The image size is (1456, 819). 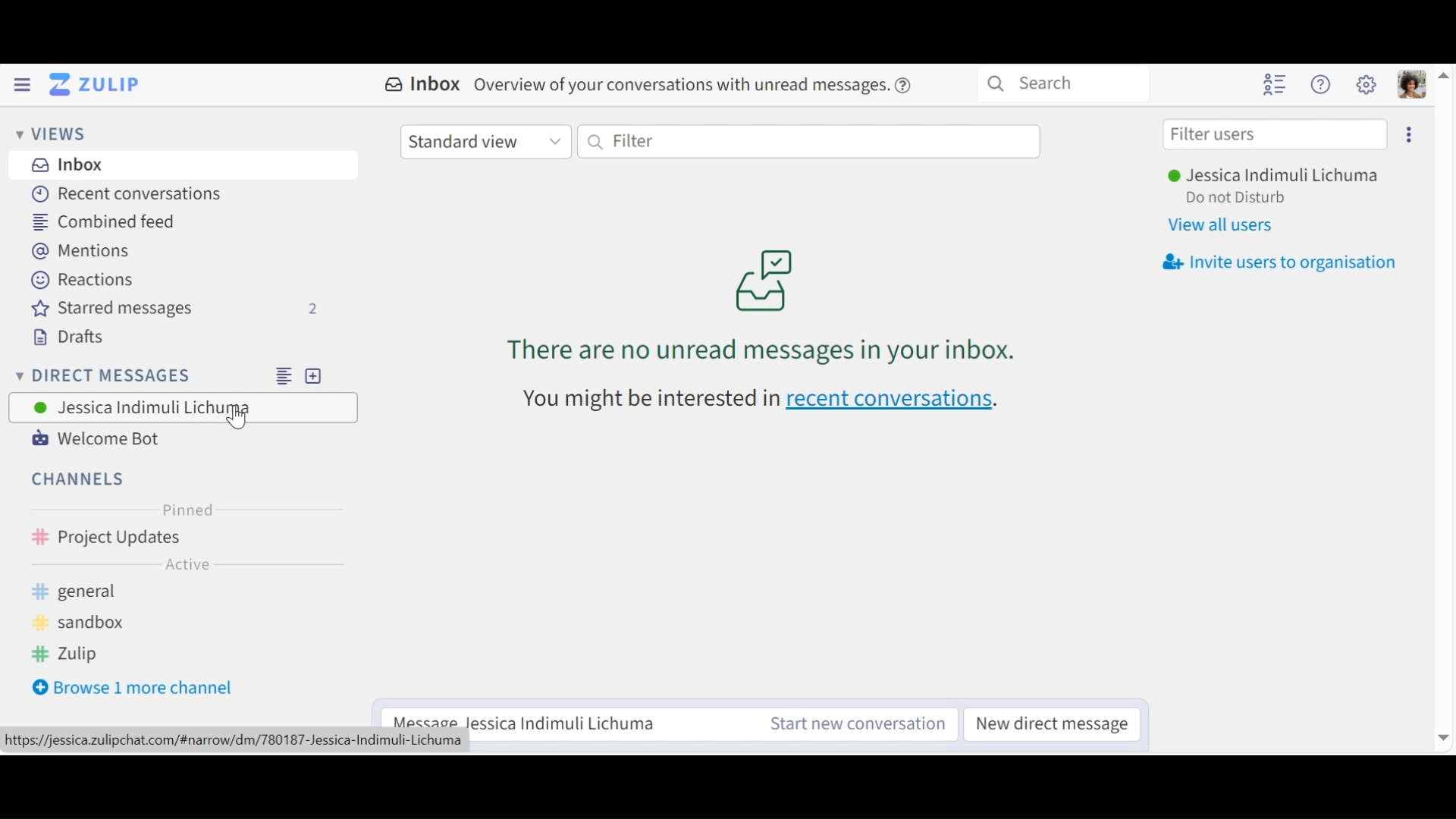 What do you see at coordinates (1275, 85) in the screenshot?
I see `Hide user list` at bounding box center [1275, 85].